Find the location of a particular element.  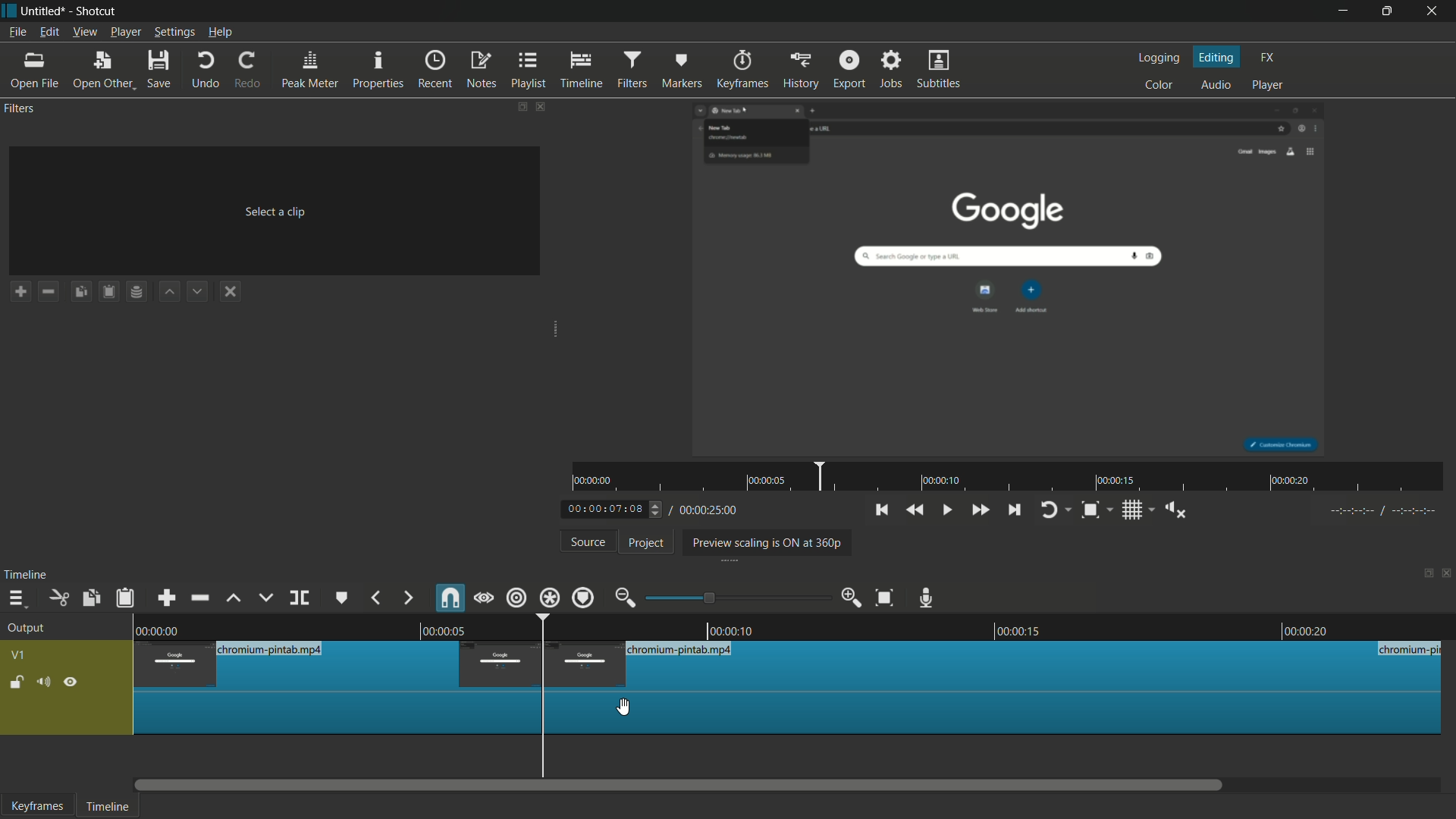

editing is located at coordinates (1218, 58).